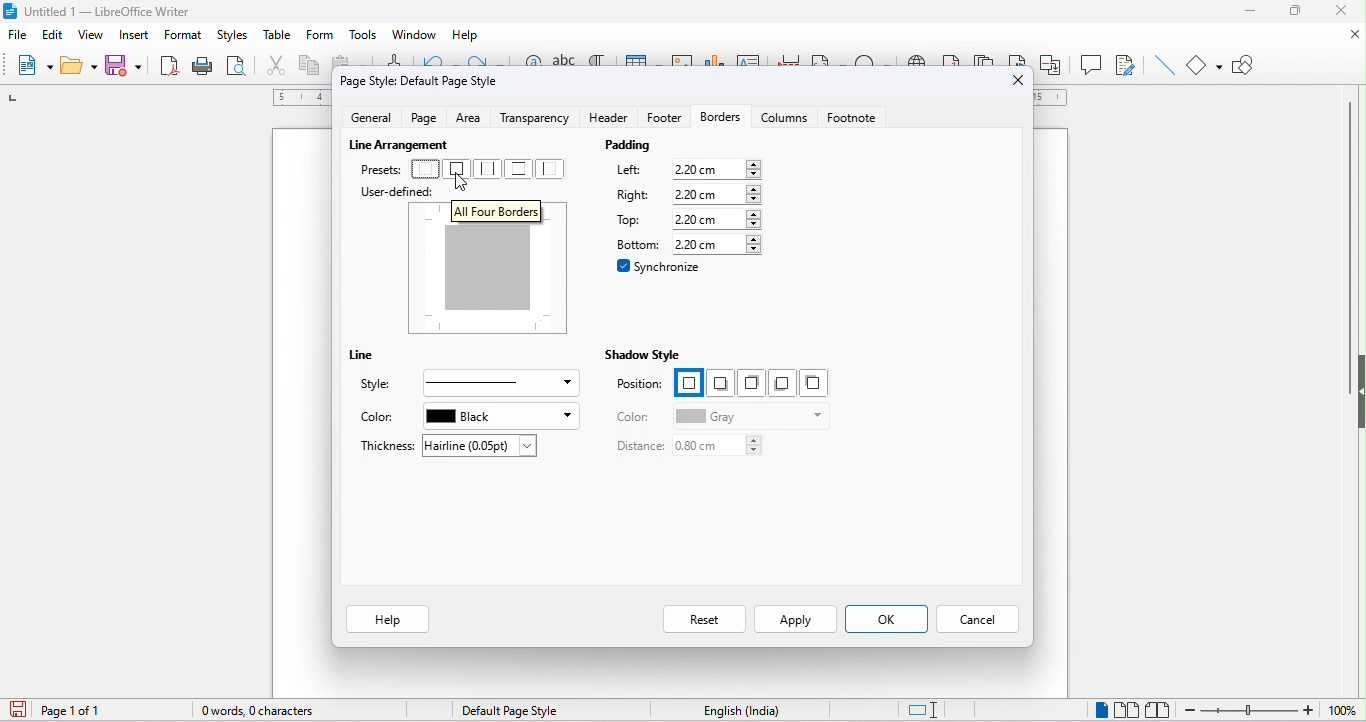 Image resolution: width=1366 pixels, height=722 pixels. What do you see at coordinates (502, 415) in the screenshot?
I see `black` at bounding box center [502, 415].